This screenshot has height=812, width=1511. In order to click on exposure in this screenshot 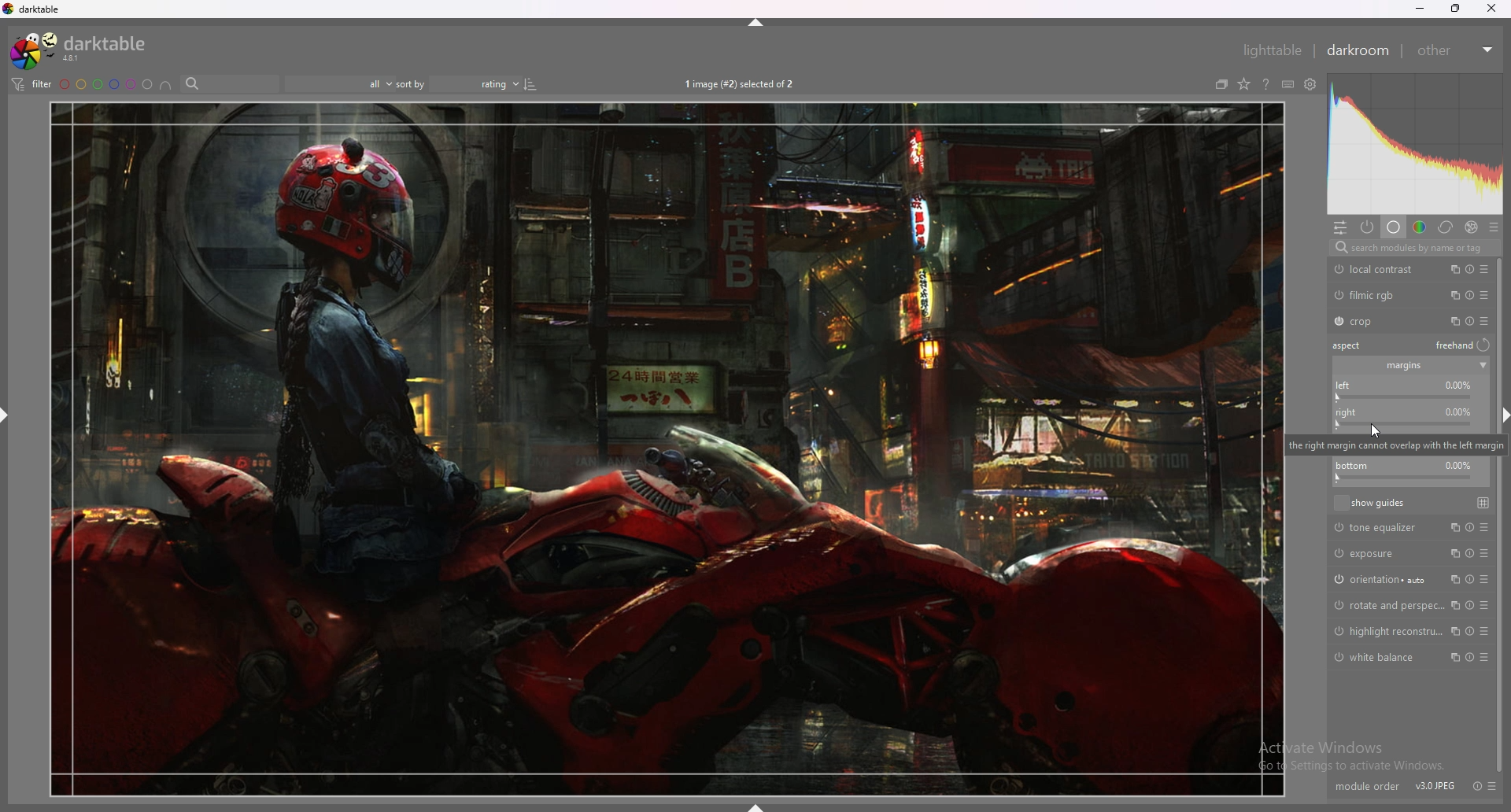, I will do `click(1379, 552)`.